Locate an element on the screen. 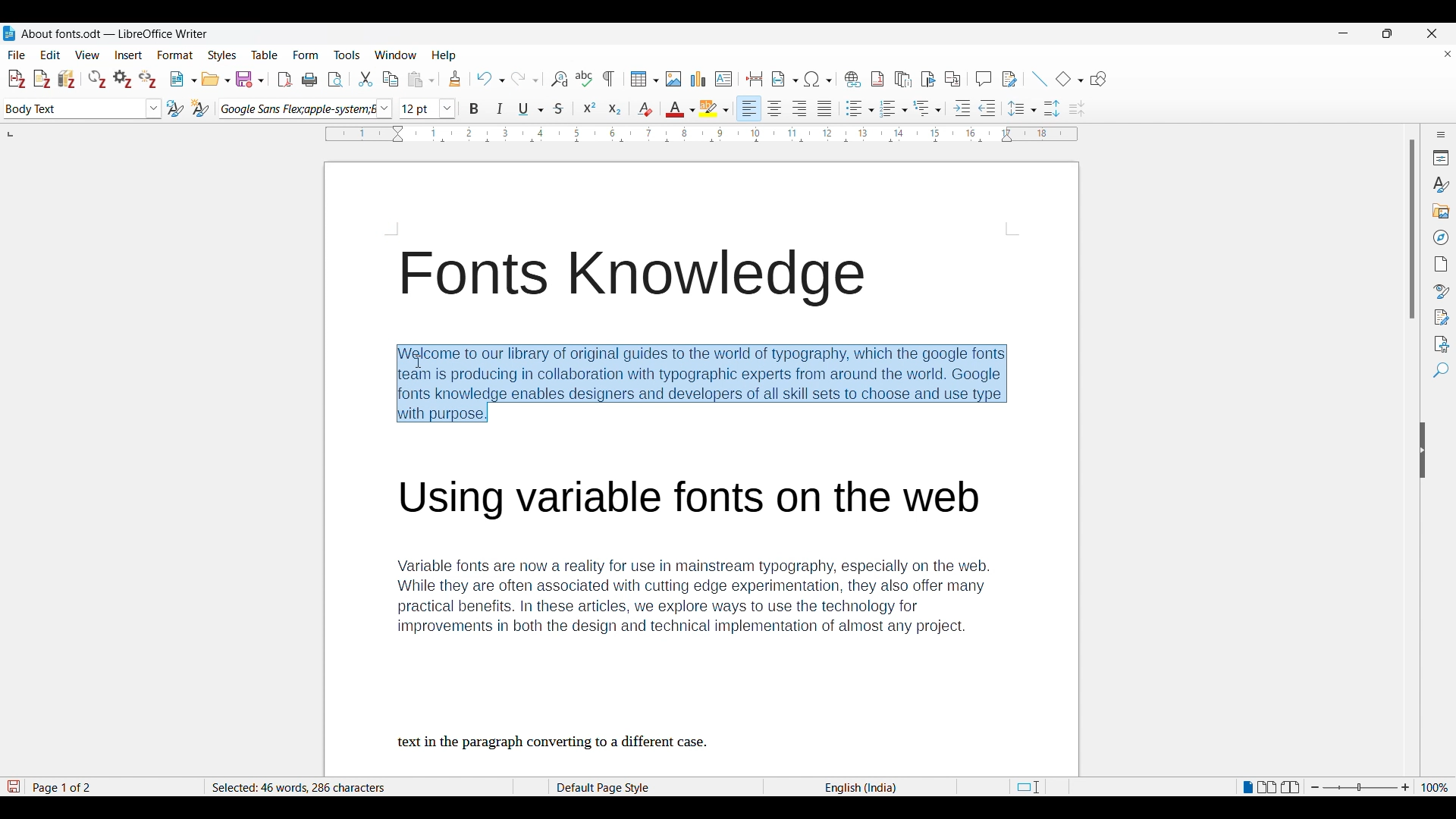  Software logo is located at coordinates (9, 33).